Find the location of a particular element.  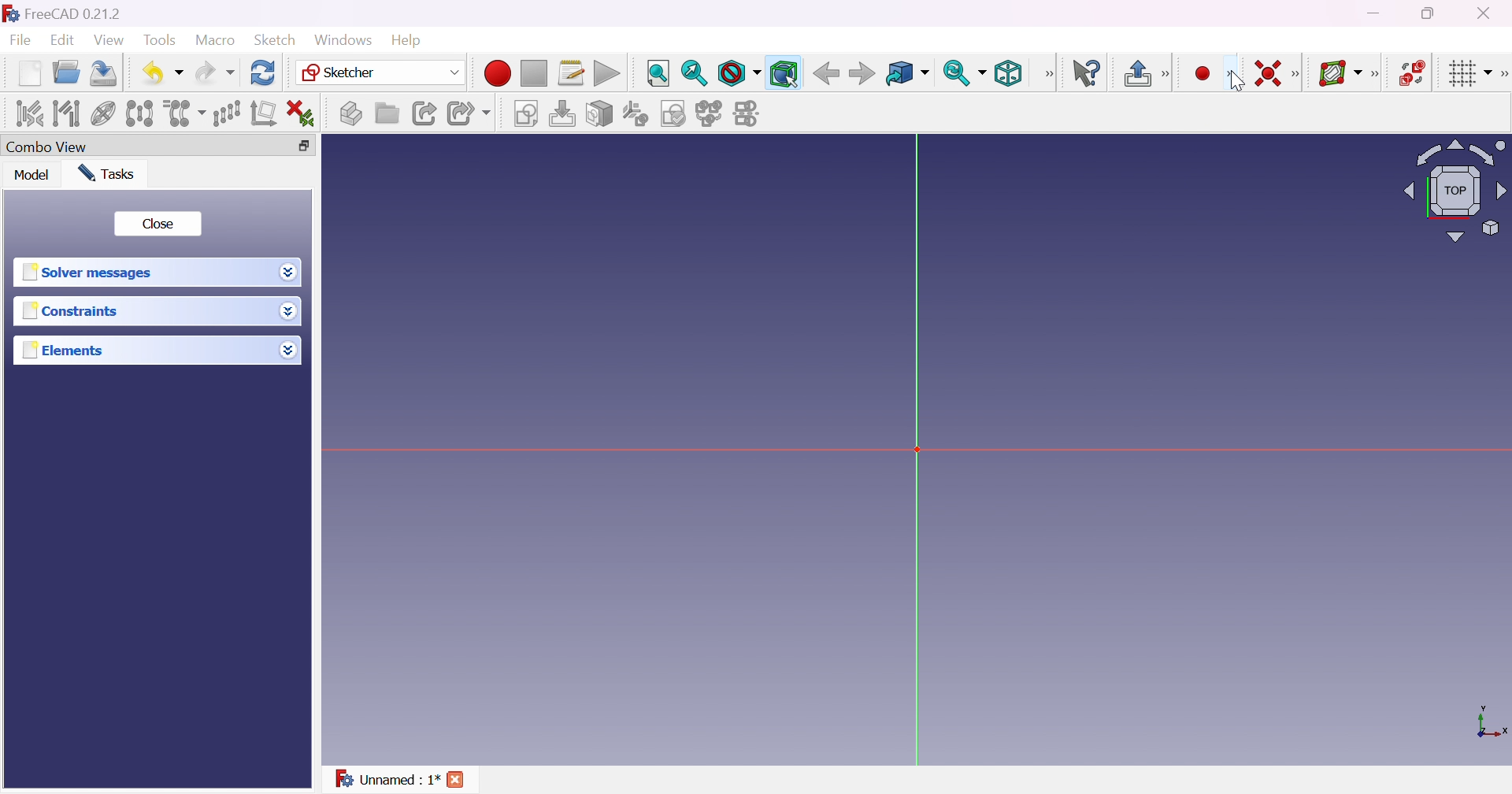

Save is located at coordinates (105, 74).